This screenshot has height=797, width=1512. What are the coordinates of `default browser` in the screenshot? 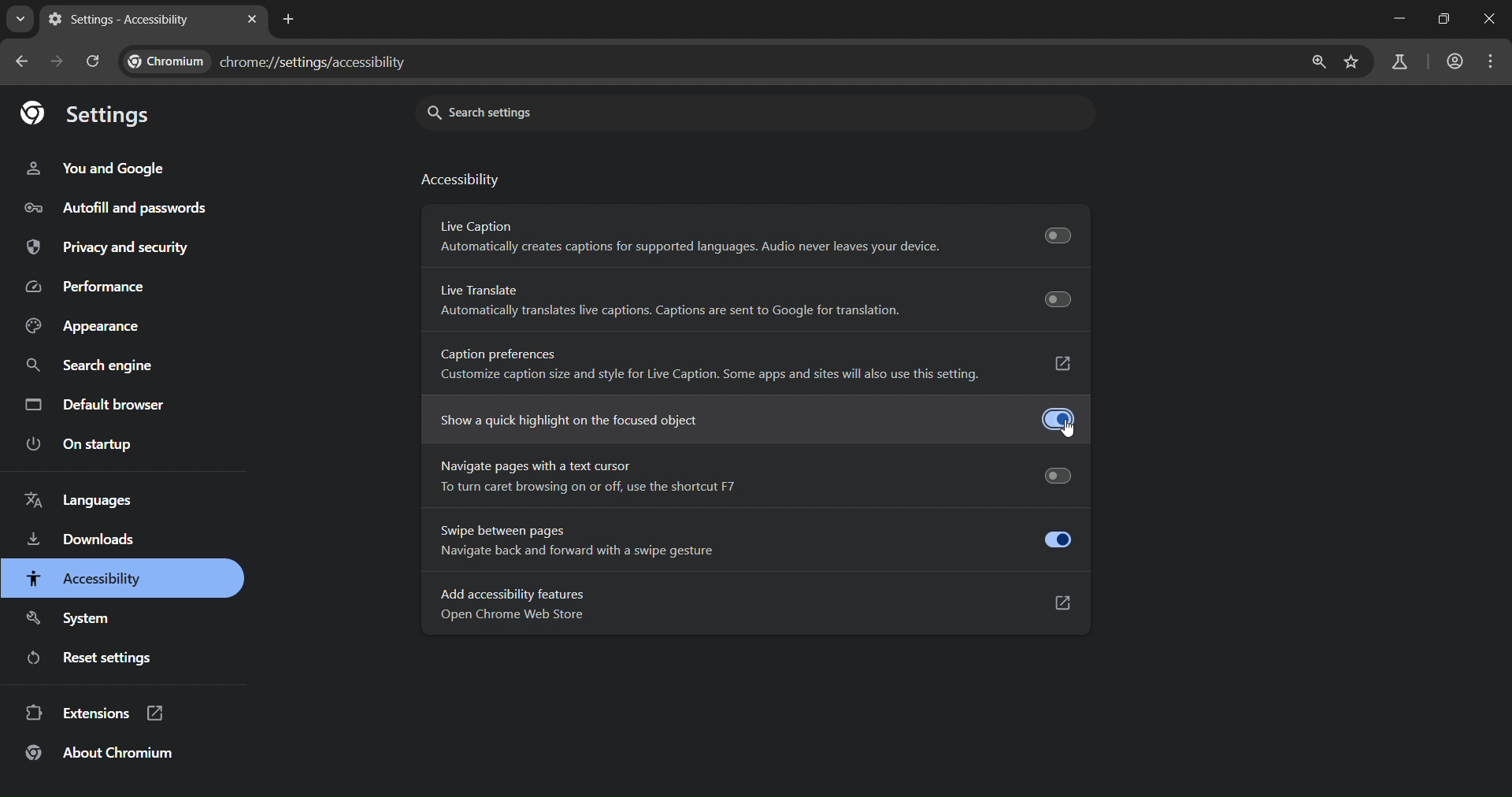 It's located at (95, 404).